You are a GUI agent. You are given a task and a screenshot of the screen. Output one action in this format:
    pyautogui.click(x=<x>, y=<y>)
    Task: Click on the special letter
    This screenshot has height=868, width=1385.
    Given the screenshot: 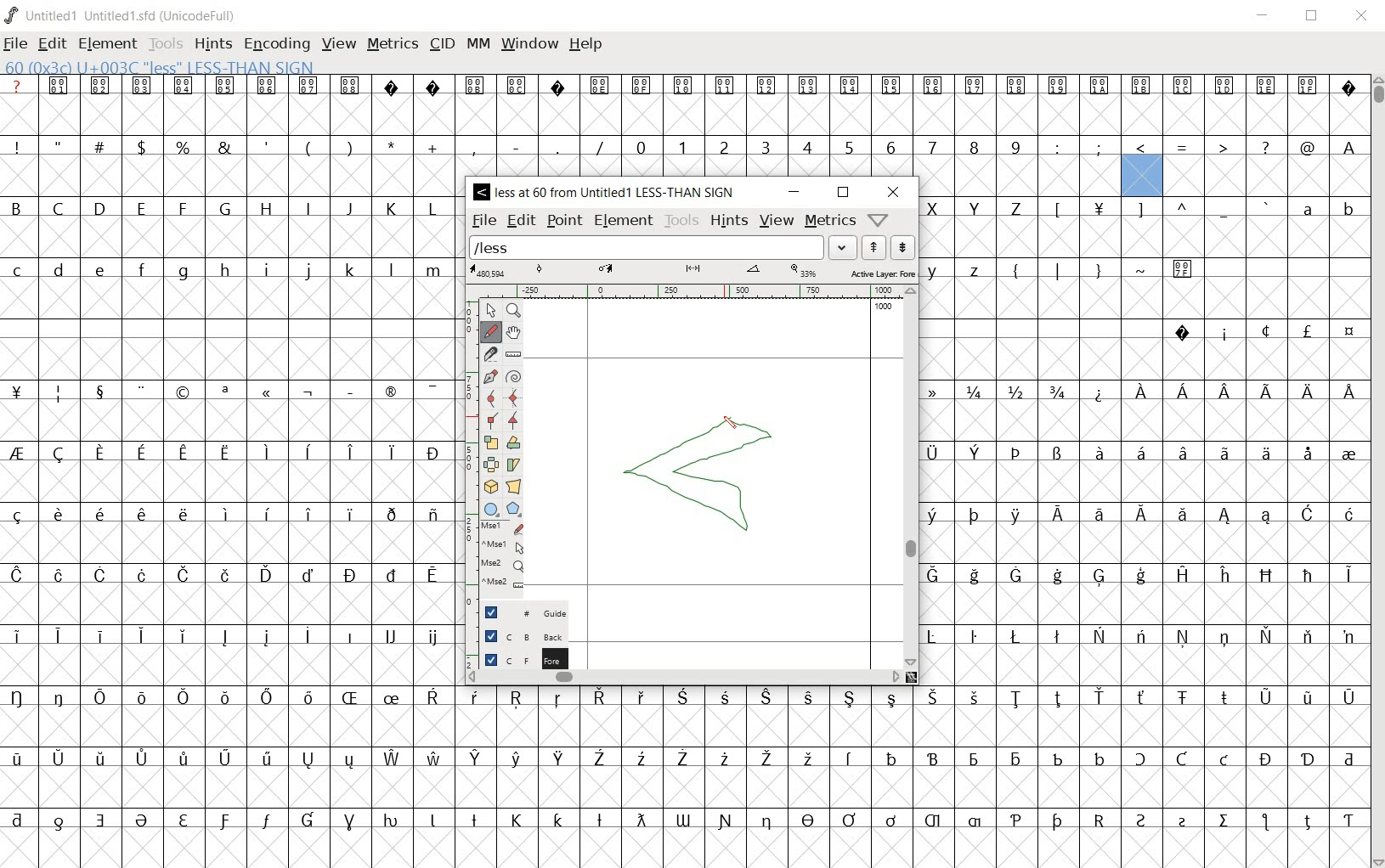 What is the action you would take?
    pyautogui.click(x=1144, y=634)
    